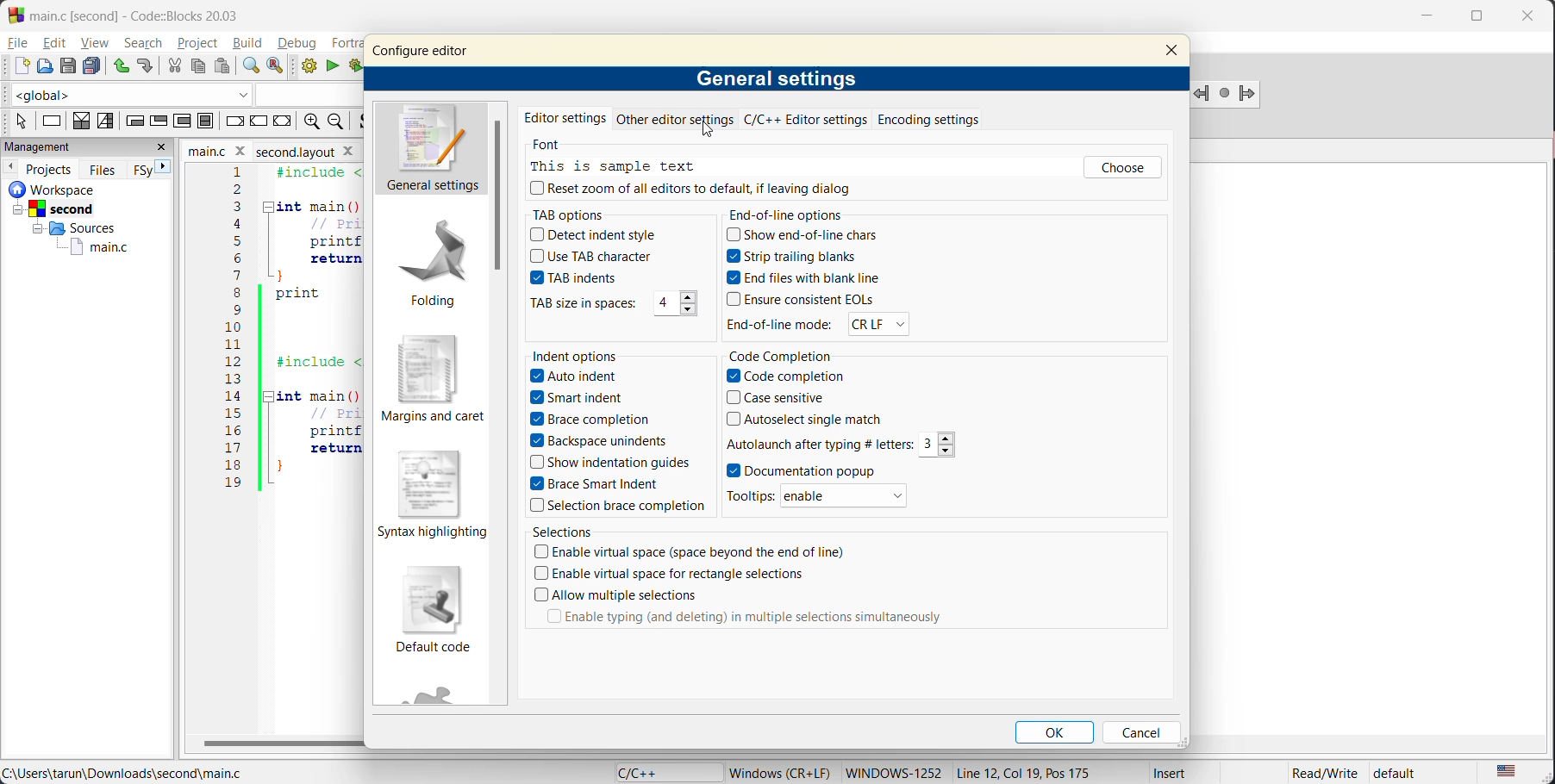 This screenshot has width=1555, height=784. What do you see at coordinates (806, 398) in the screenshot?
I see `Case sensitive` at bounding box center [806, 398].